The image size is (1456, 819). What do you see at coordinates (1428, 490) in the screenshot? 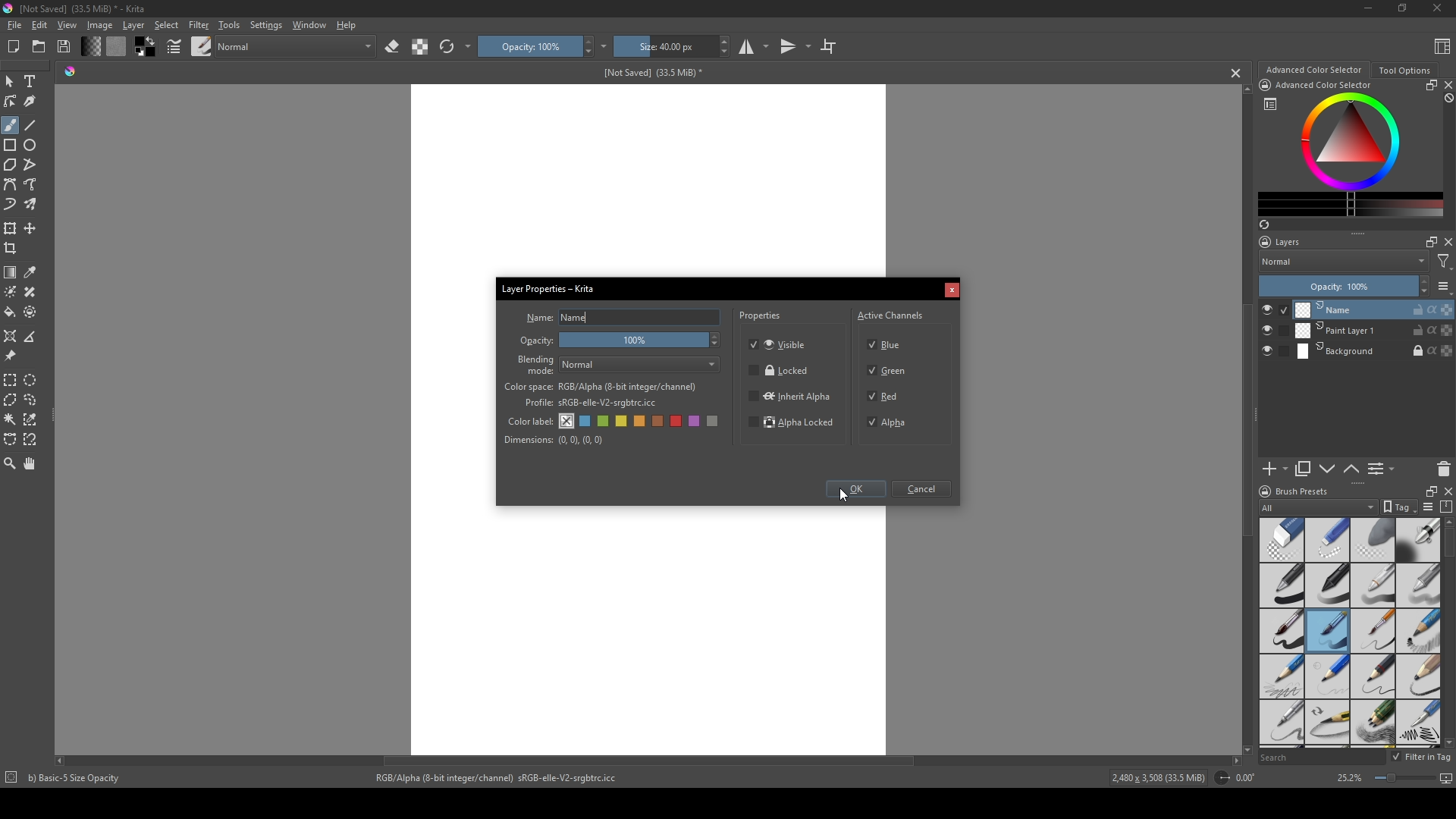
I see `resize` at bounding box center [1428, 490].